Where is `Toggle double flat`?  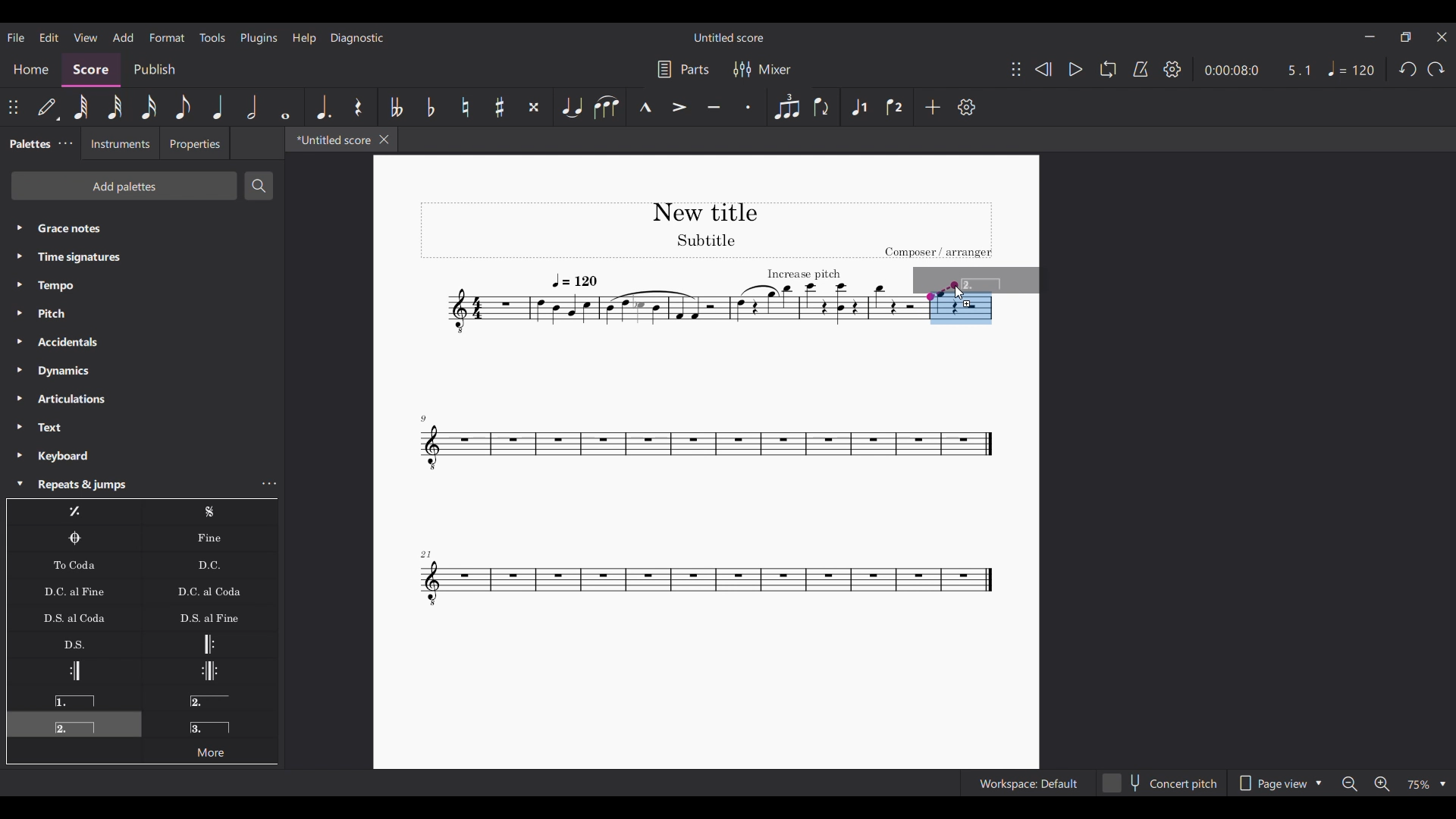 Toggle double flat is located at coordinates (394, 107).